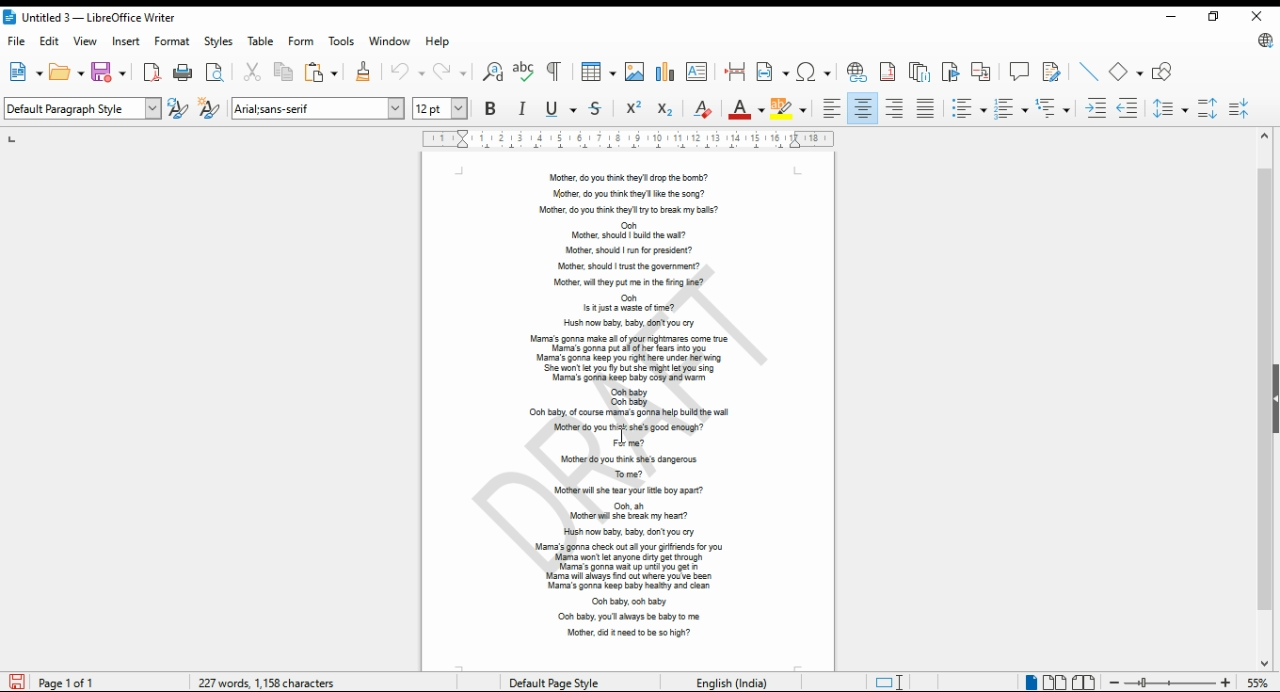 The image size is (1280, 692). What do you see at coordinates (854, 72) in the screenshot?
I see `insert hyperlink` at bounding box center [854, 72].